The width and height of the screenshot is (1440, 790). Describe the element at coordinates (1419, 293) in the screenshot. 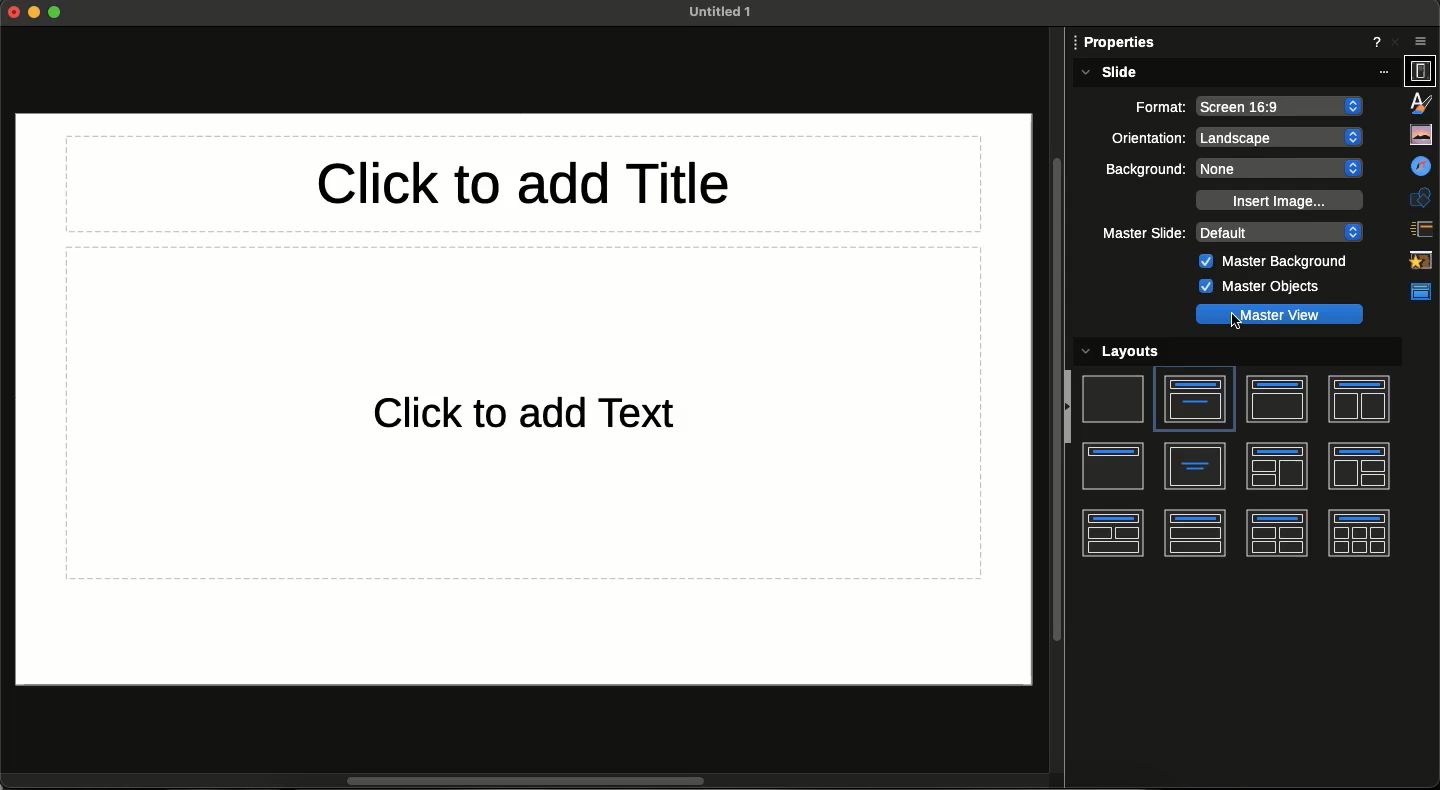

I see `Master slides` at that location.